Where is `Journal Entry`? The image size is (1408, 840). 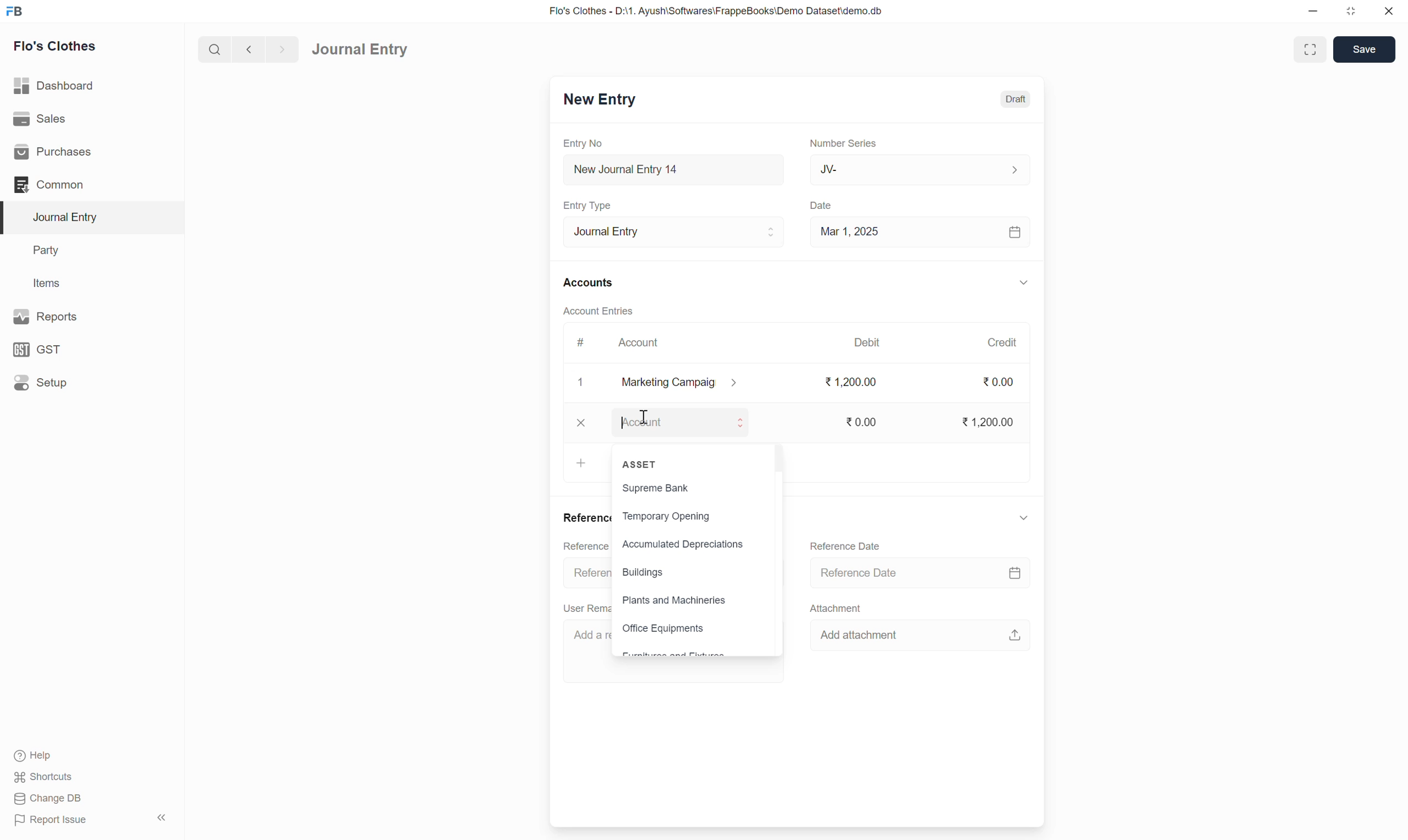
Journal Entry is located at coordinates (674, 231).